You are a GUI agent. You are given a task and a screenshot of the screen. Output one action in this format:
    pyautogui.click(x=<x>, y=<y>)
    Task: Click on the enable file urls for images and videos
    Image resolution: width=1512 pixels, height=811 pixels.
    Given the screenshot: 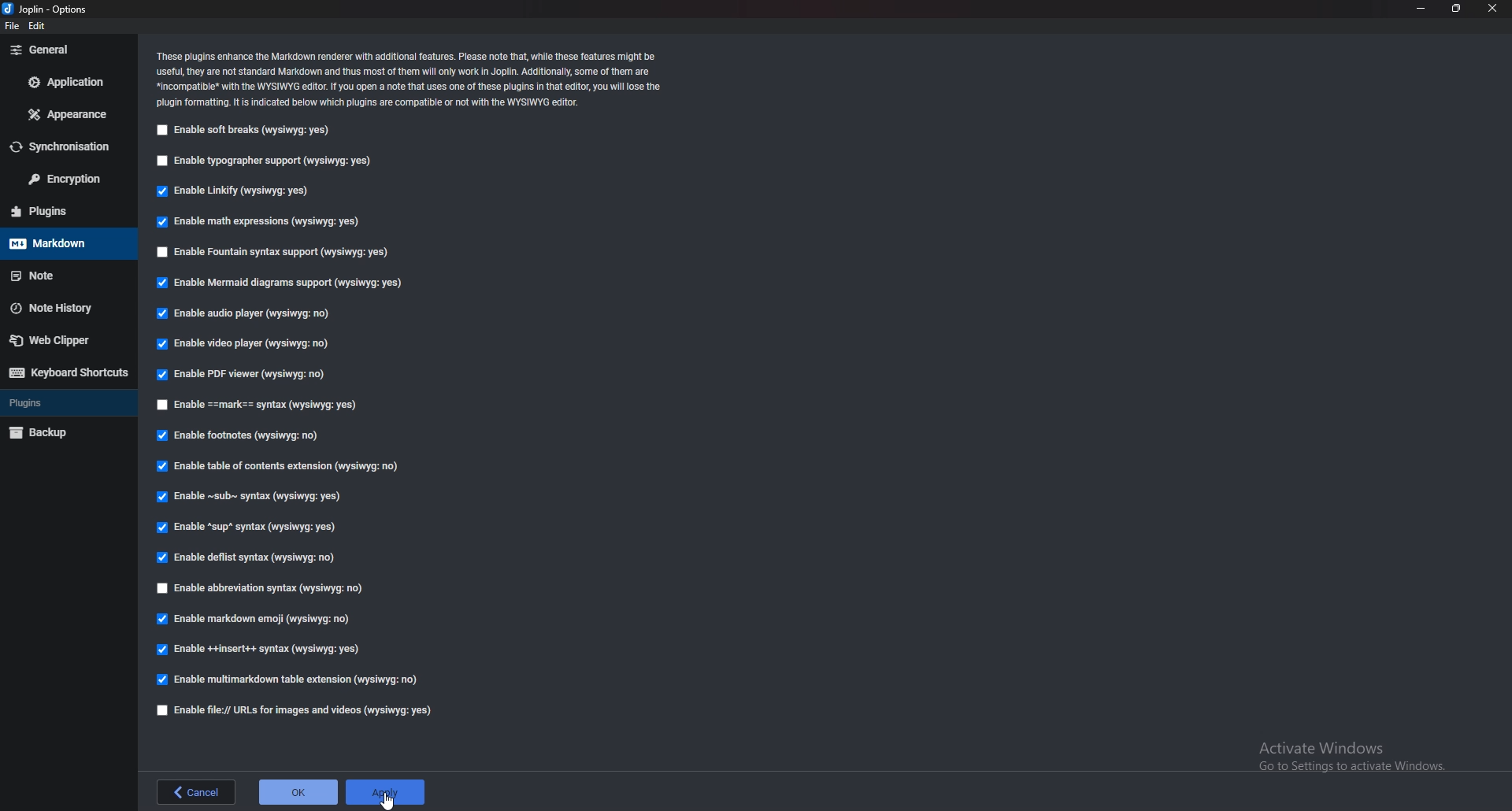 What is the action you would take?
    pyautogui.click(x=295, y=711)
    